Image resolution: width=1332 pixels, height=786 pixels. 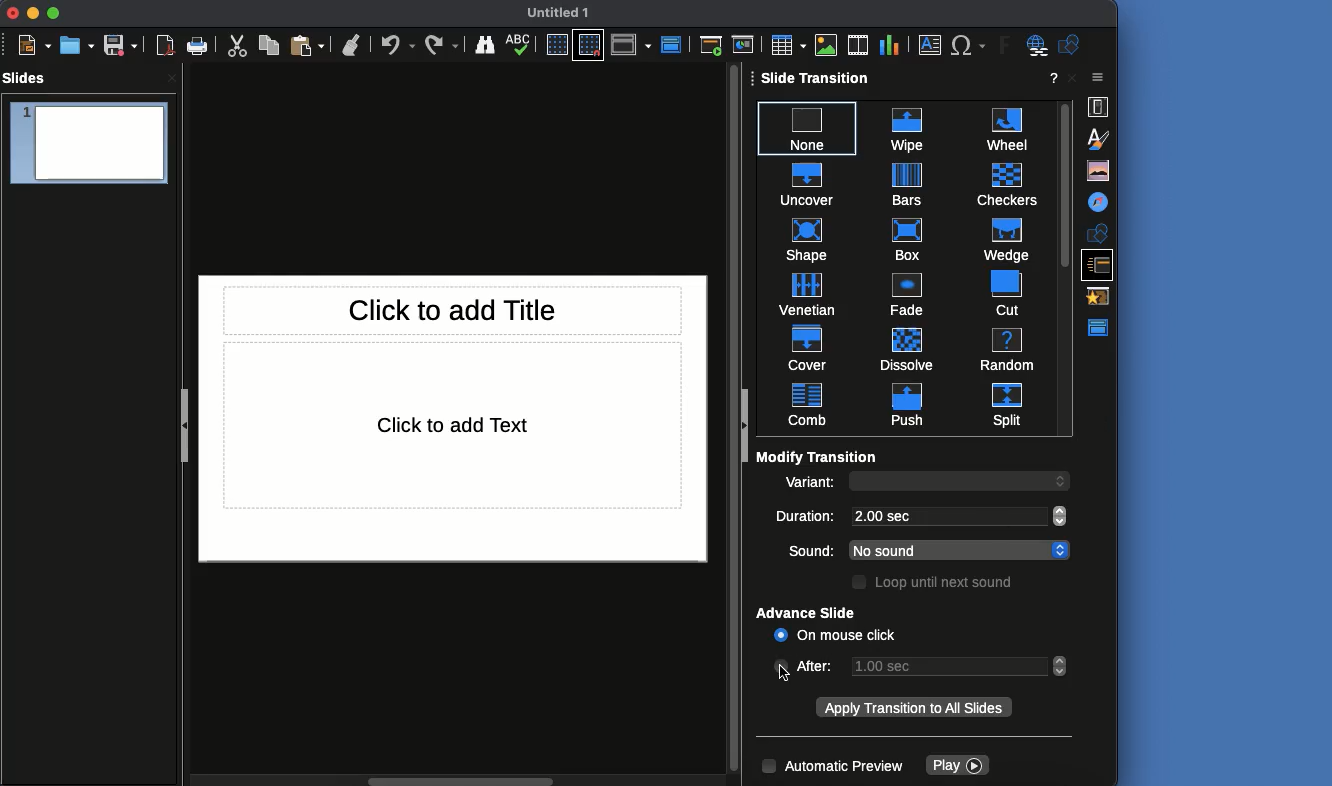 I want to click on Special characters, so click(x=968, y=44).